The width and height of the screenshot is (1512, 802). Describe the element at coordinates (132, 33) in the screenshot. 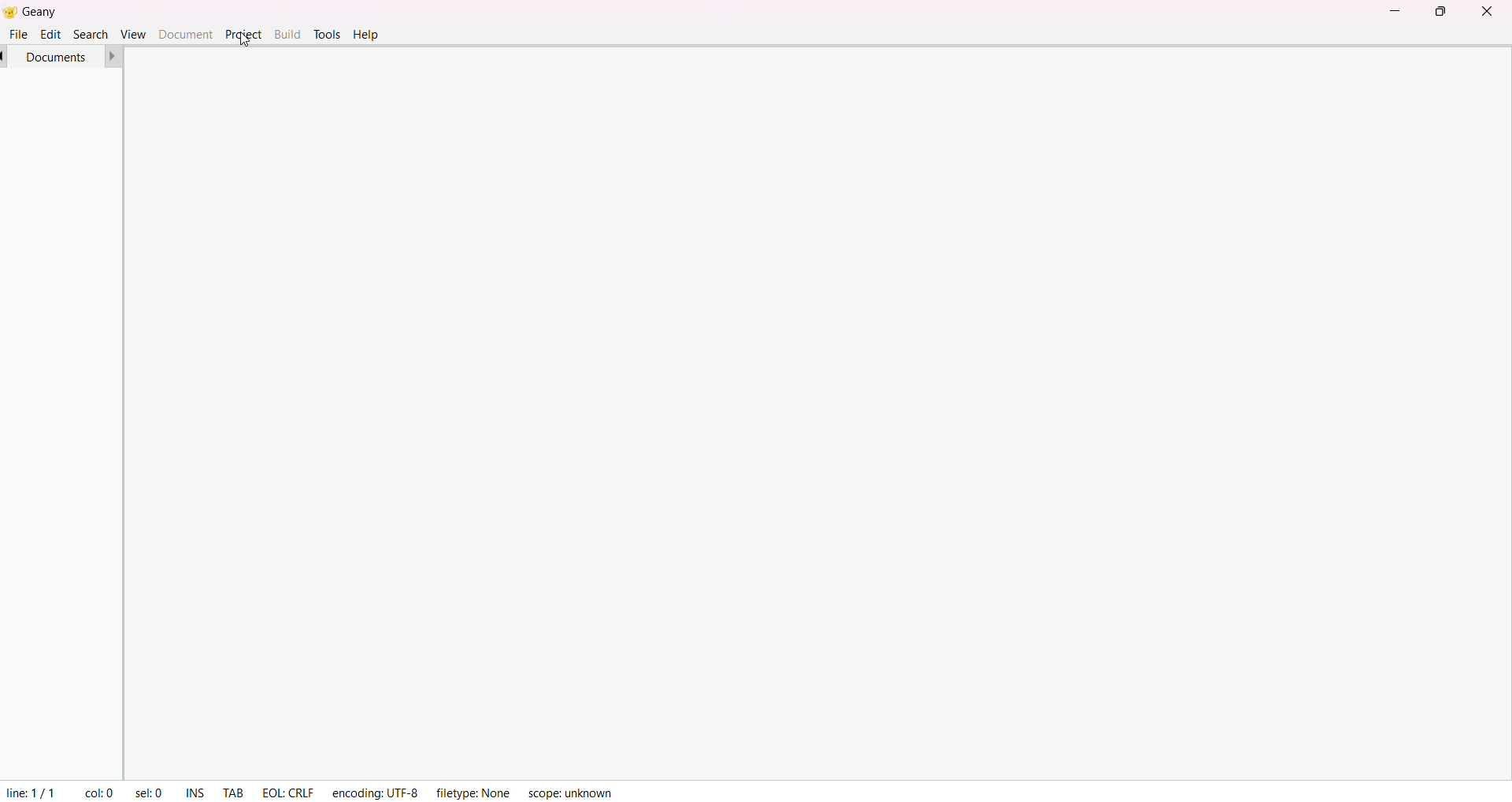

I see `view` at that location.